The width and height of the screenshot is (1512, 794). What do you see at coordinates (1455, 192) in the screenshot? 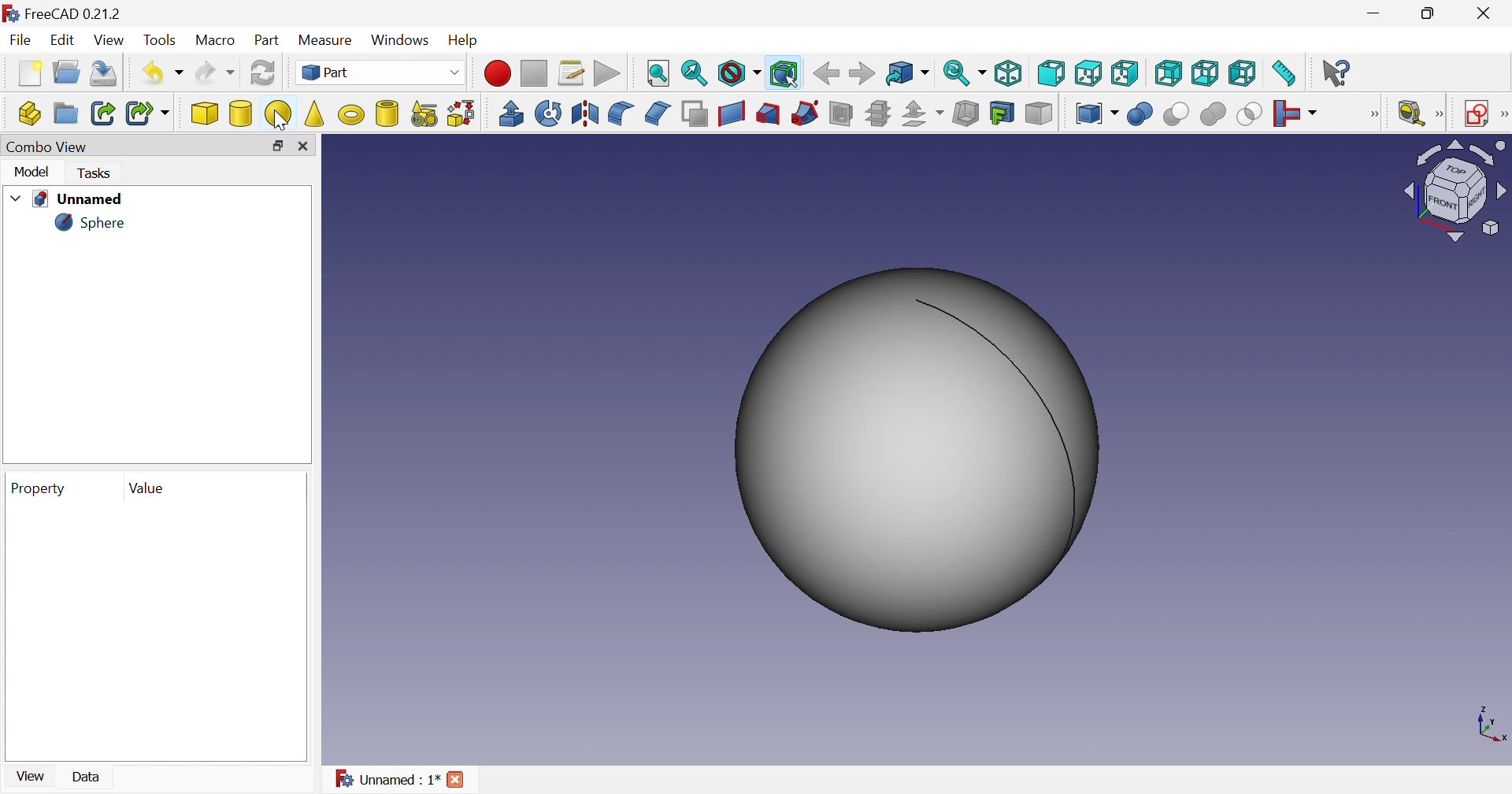
I see `` at bounding box center [1455, 192].